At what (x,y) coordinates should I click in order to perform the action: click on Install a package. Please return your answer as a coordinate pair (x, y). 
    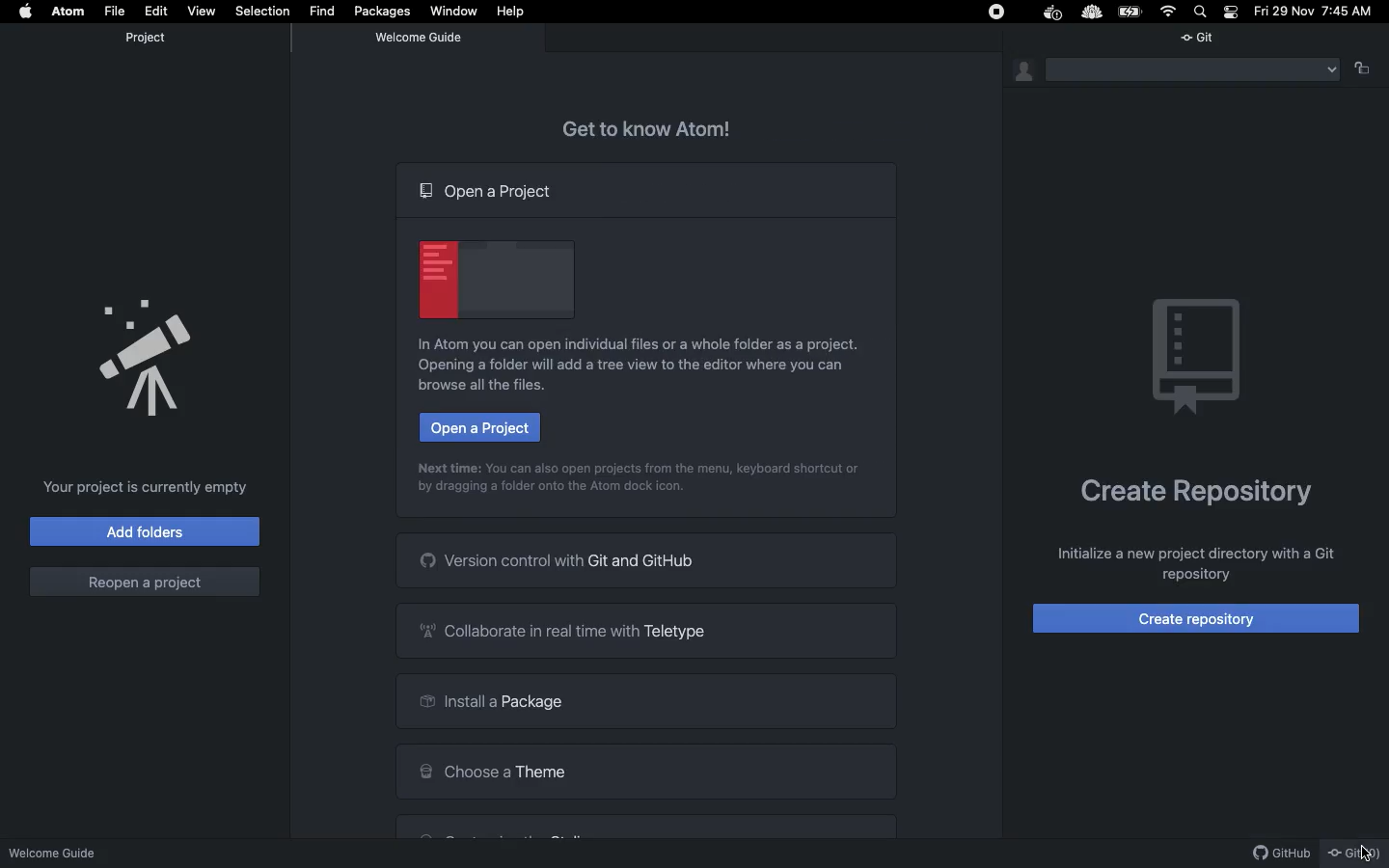
    Looking at the image, I should click on (643, 699).